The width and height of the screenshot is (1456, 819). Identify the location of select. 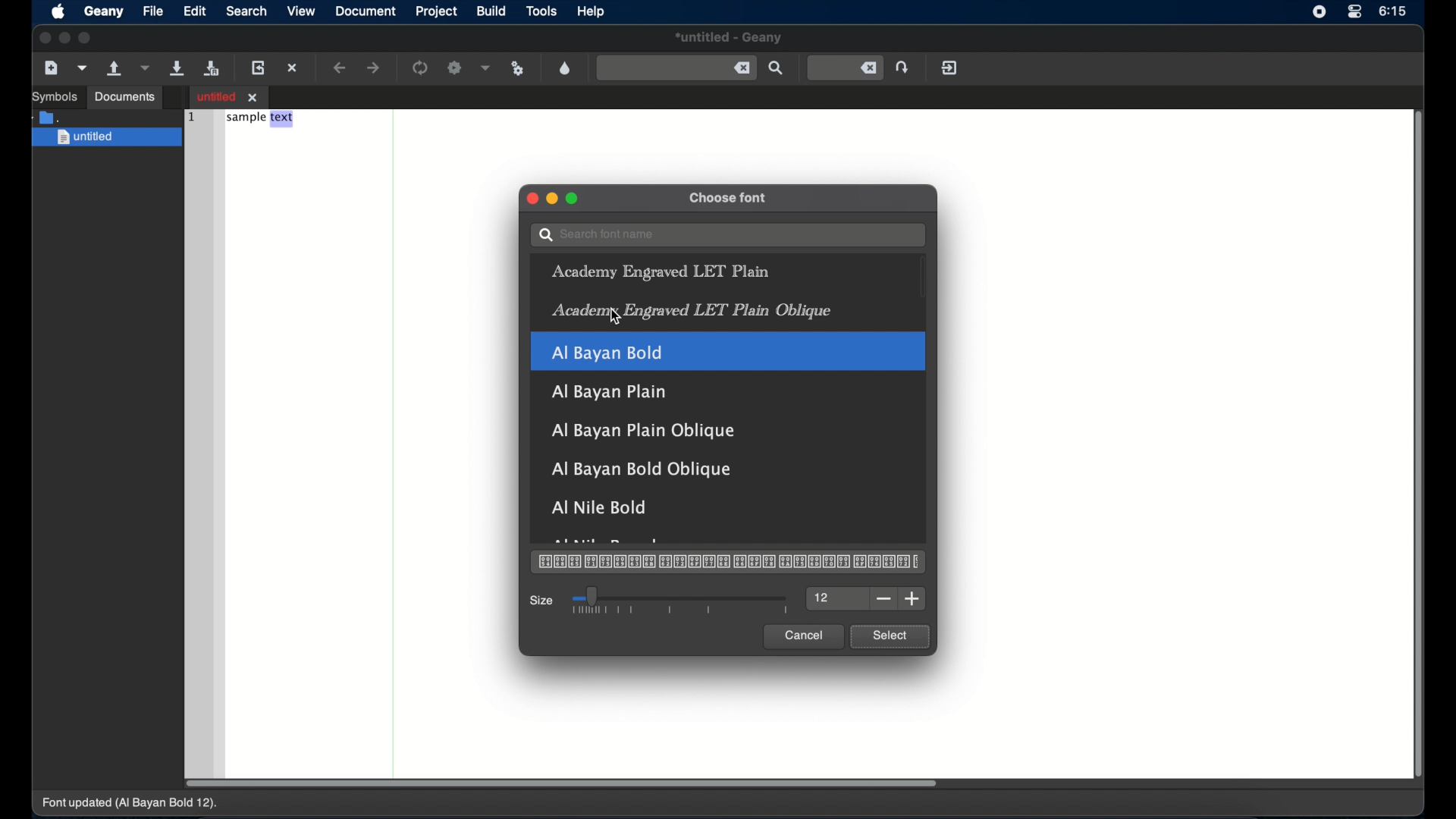
(890, 637).